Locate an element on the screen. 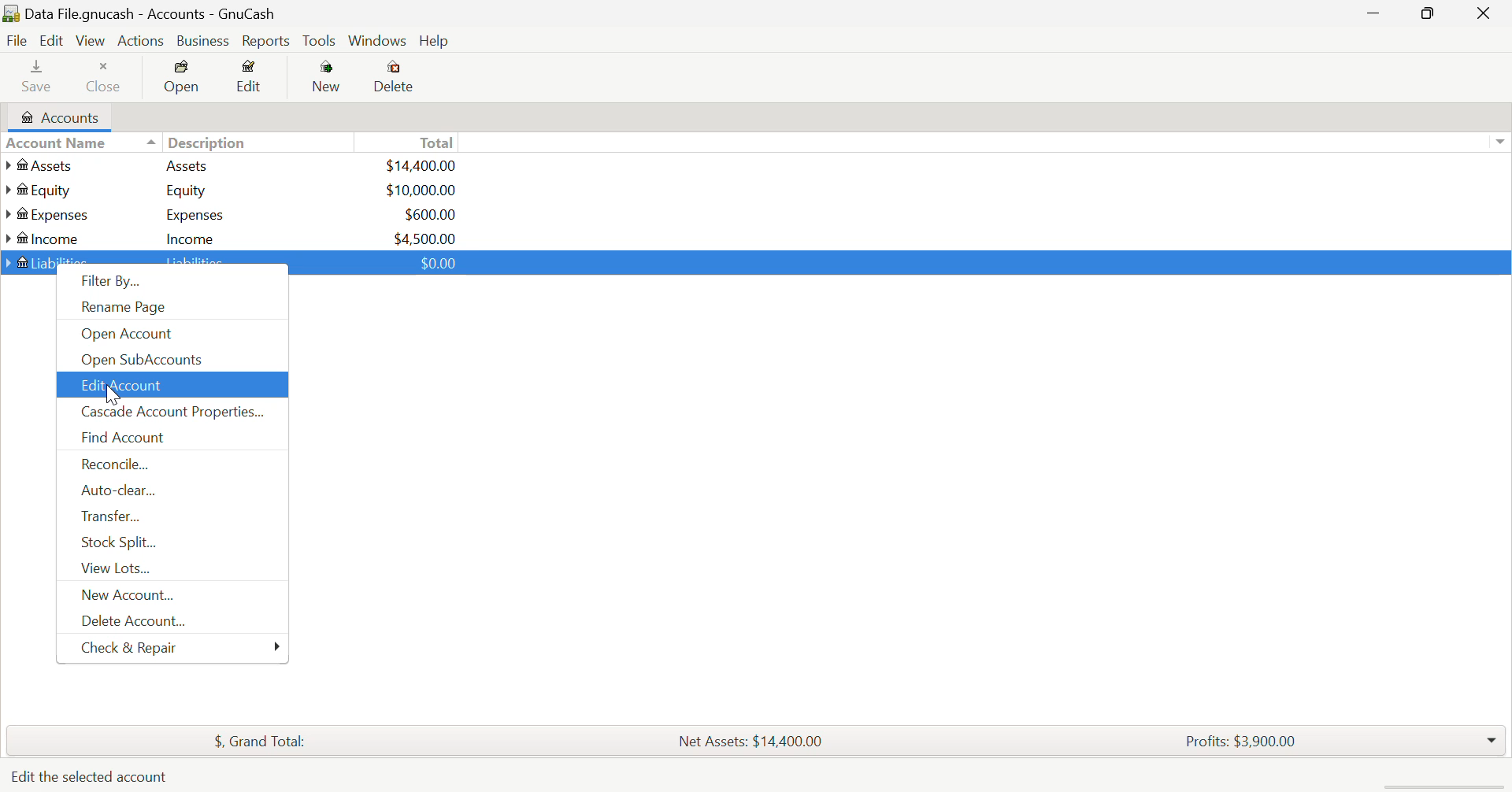  USD is located at coordinates (434, 262).